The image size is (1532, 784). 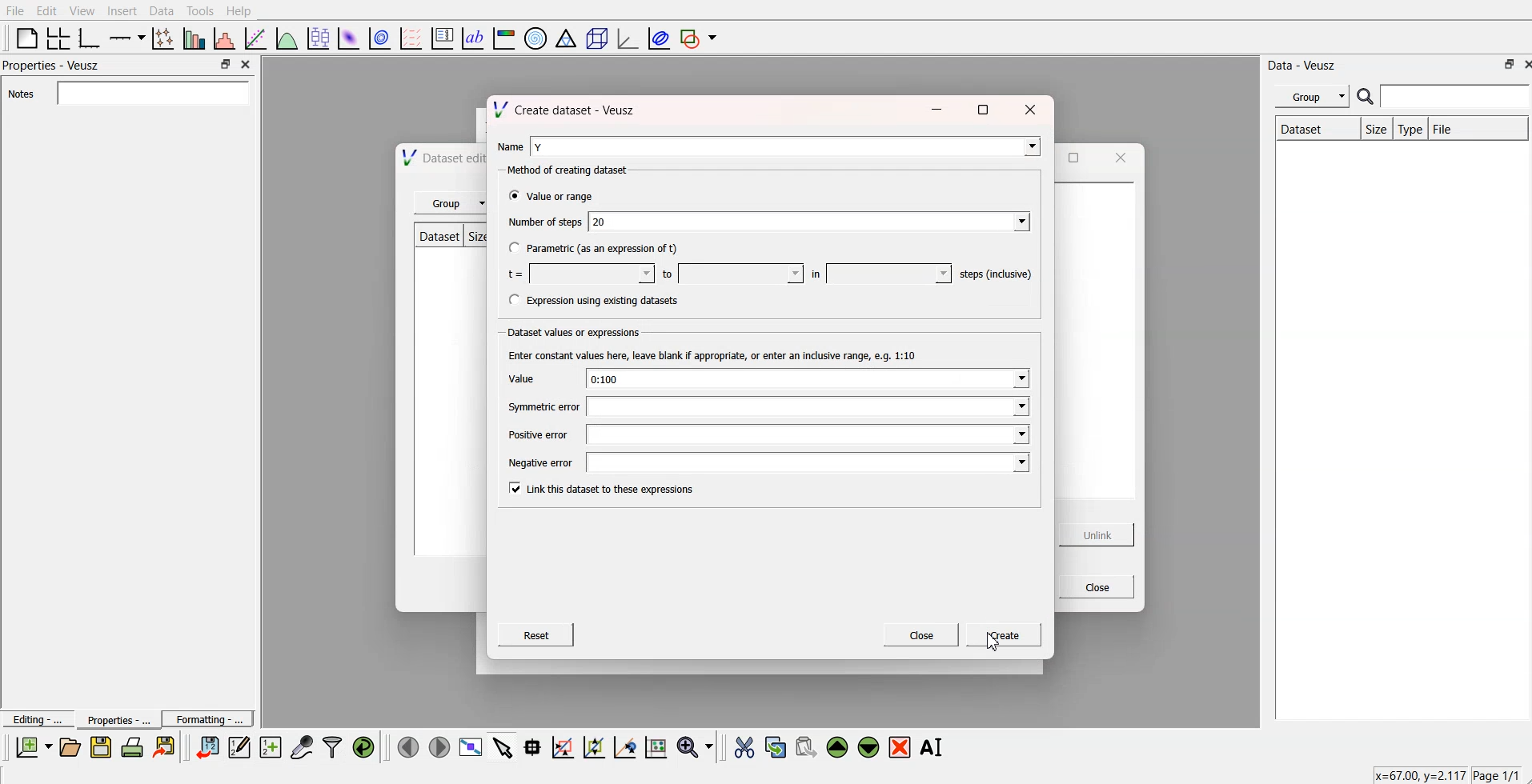 I want to click on Move to next page, so click(x=439, y=746).